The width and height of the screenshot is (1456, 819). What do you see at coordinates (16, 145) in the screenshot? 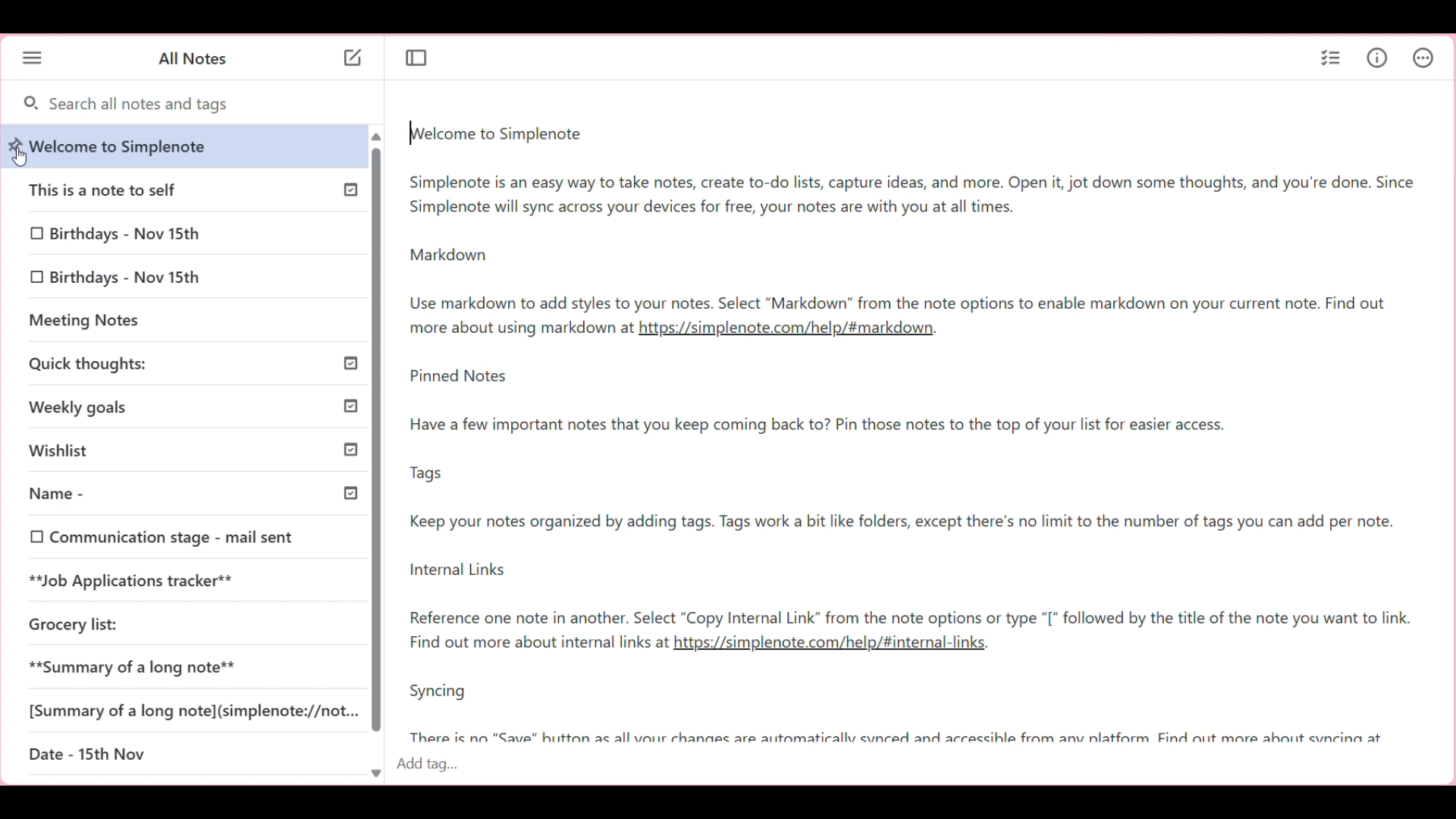
I see `Pin option for current note selected` at bounding box center [16, 145].